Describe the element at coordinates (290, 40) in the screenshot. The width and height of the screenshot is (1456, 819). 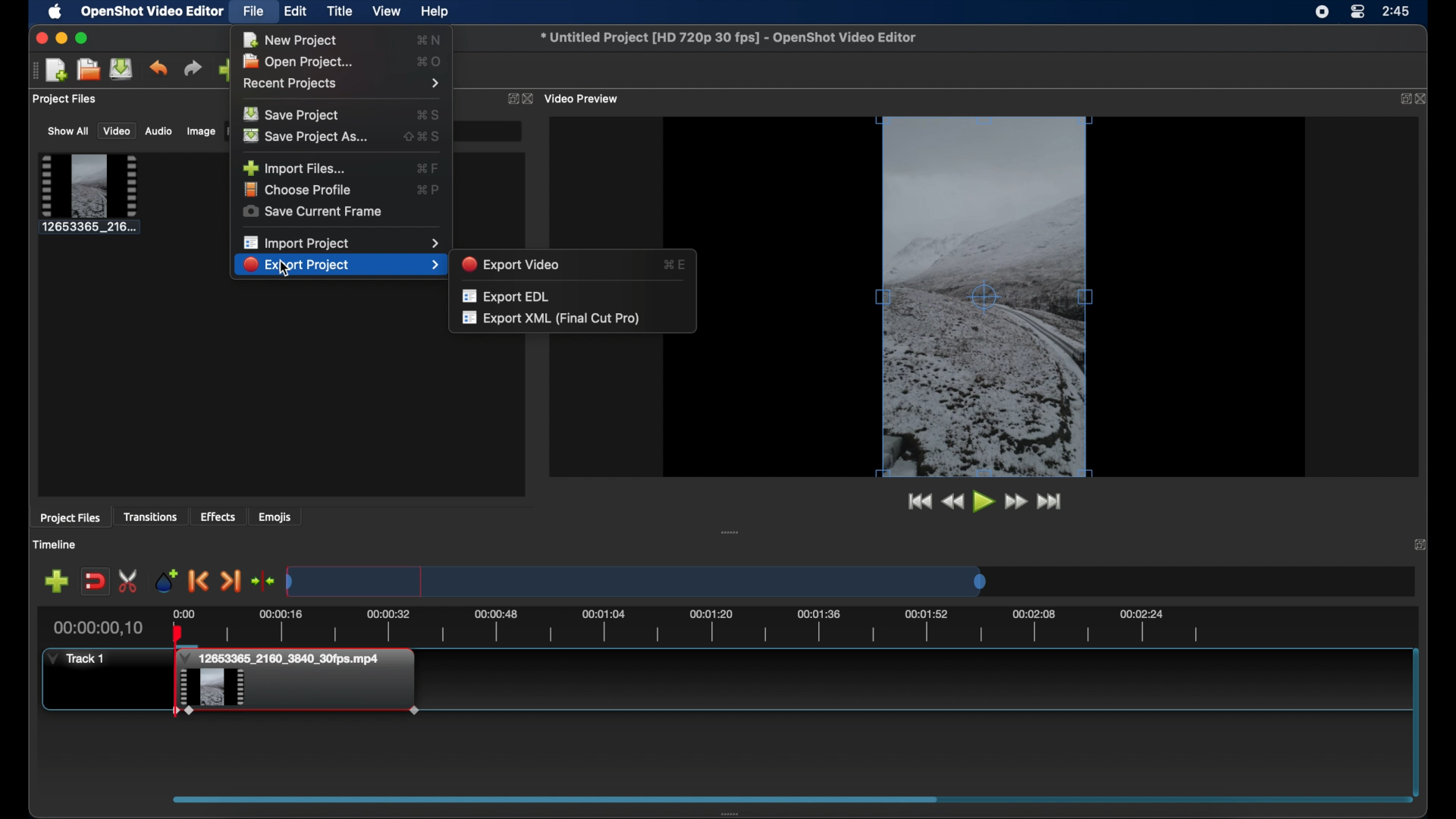
I see `new project` at that location.